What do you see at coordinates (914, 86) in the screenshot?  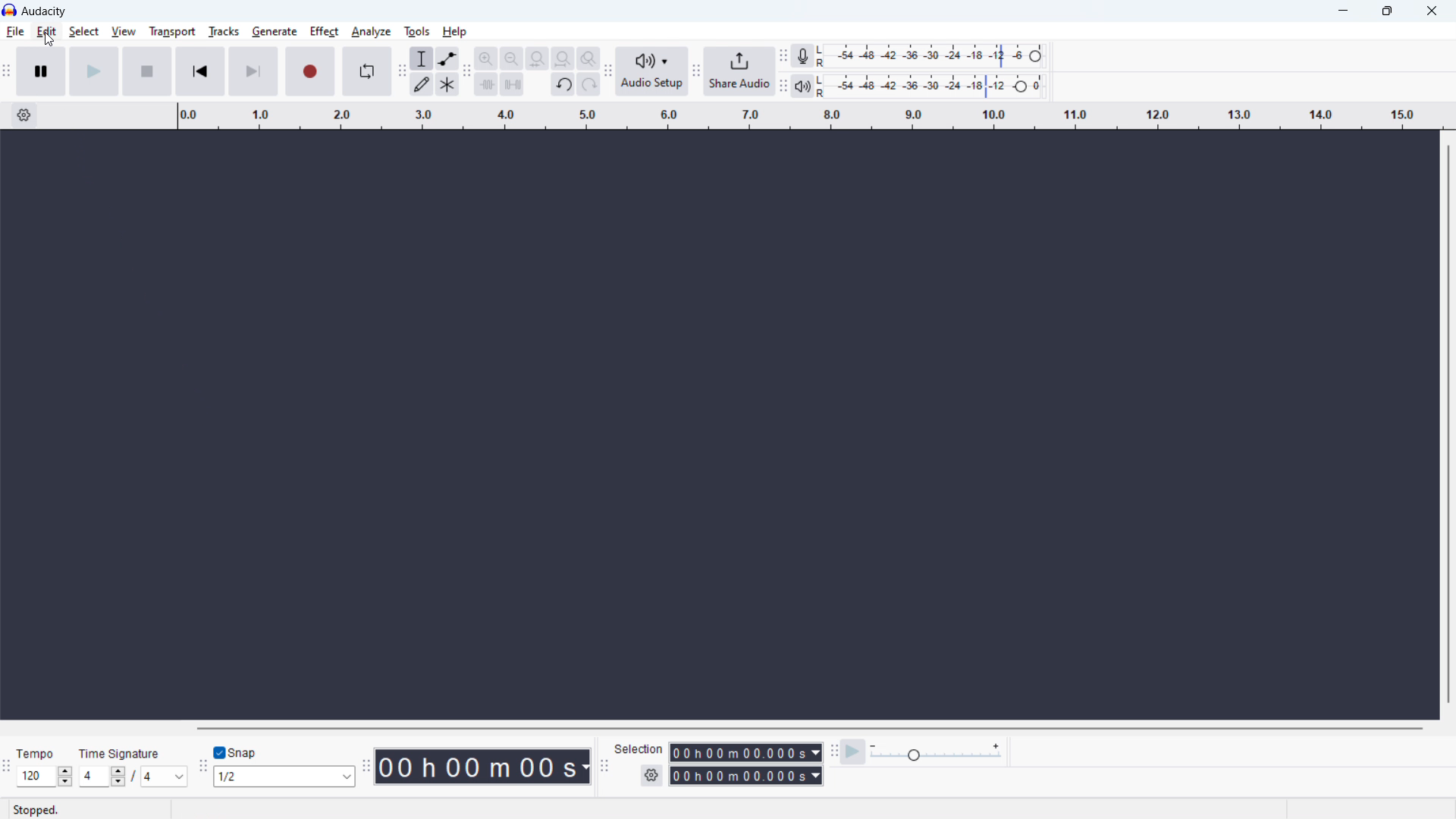 I see `playback level` at bounding box center [914, 86].